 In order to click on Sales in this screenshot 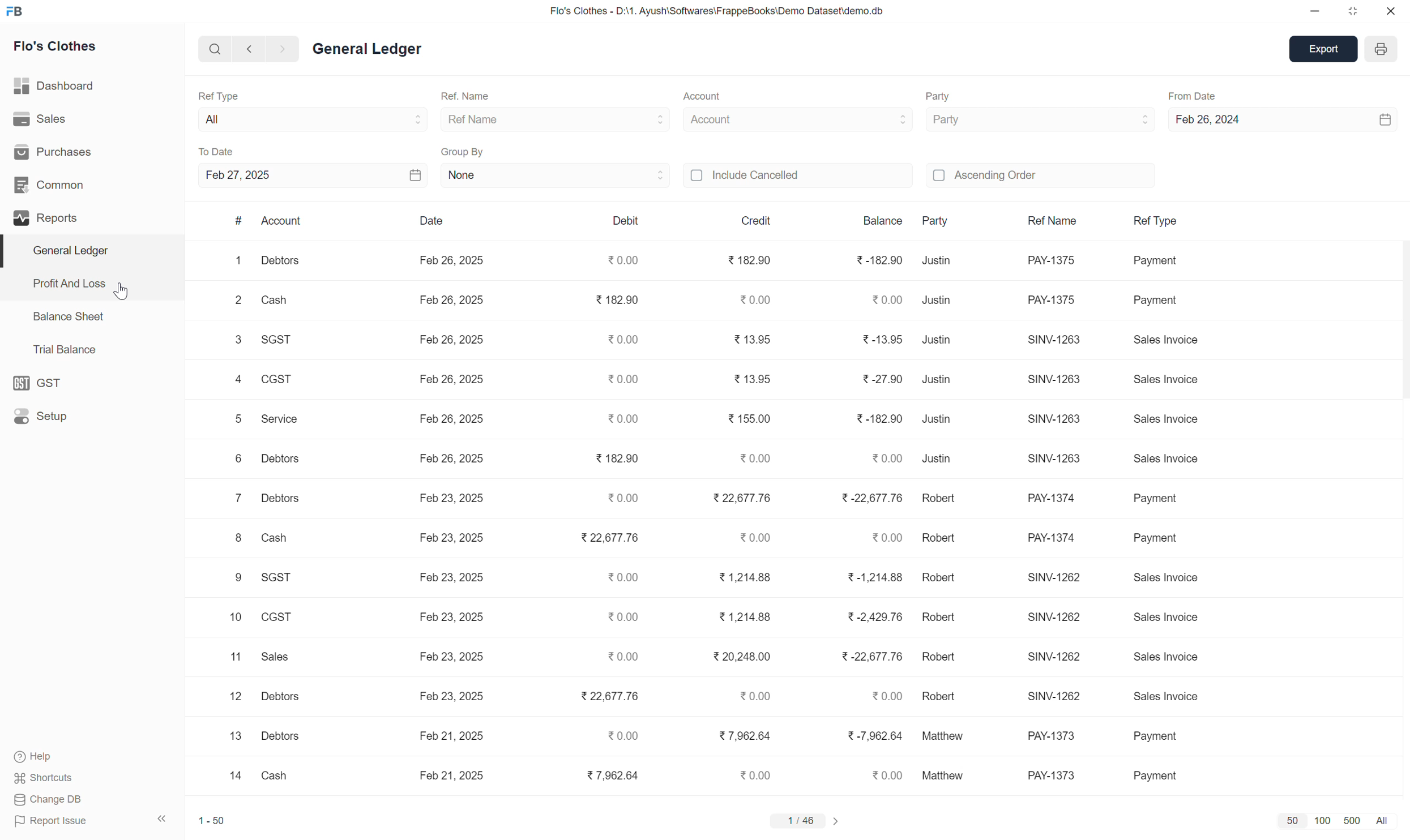, I will do `click(276, 657)`.